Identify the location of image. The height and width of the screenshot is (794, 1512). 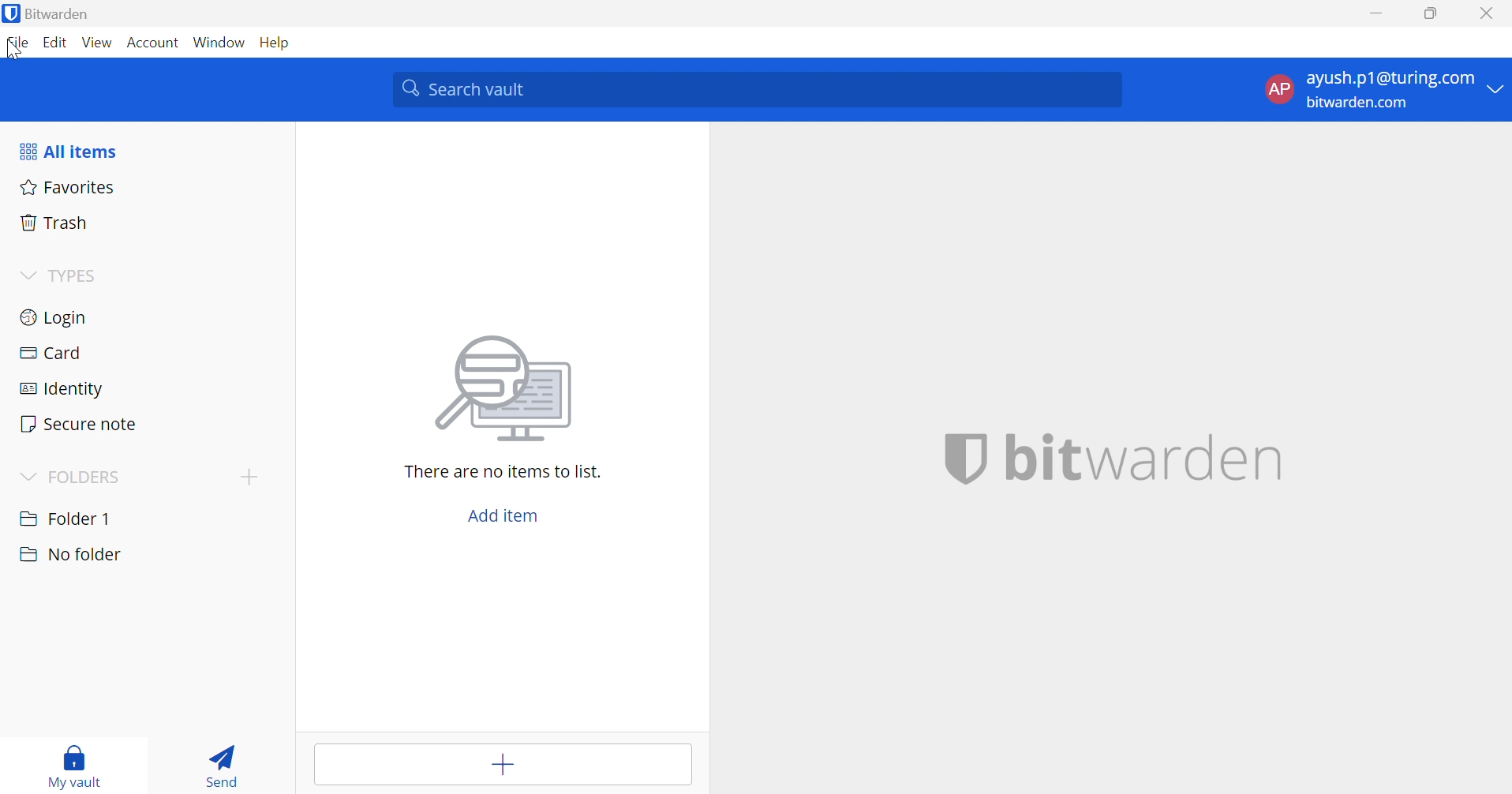
(508, 388).